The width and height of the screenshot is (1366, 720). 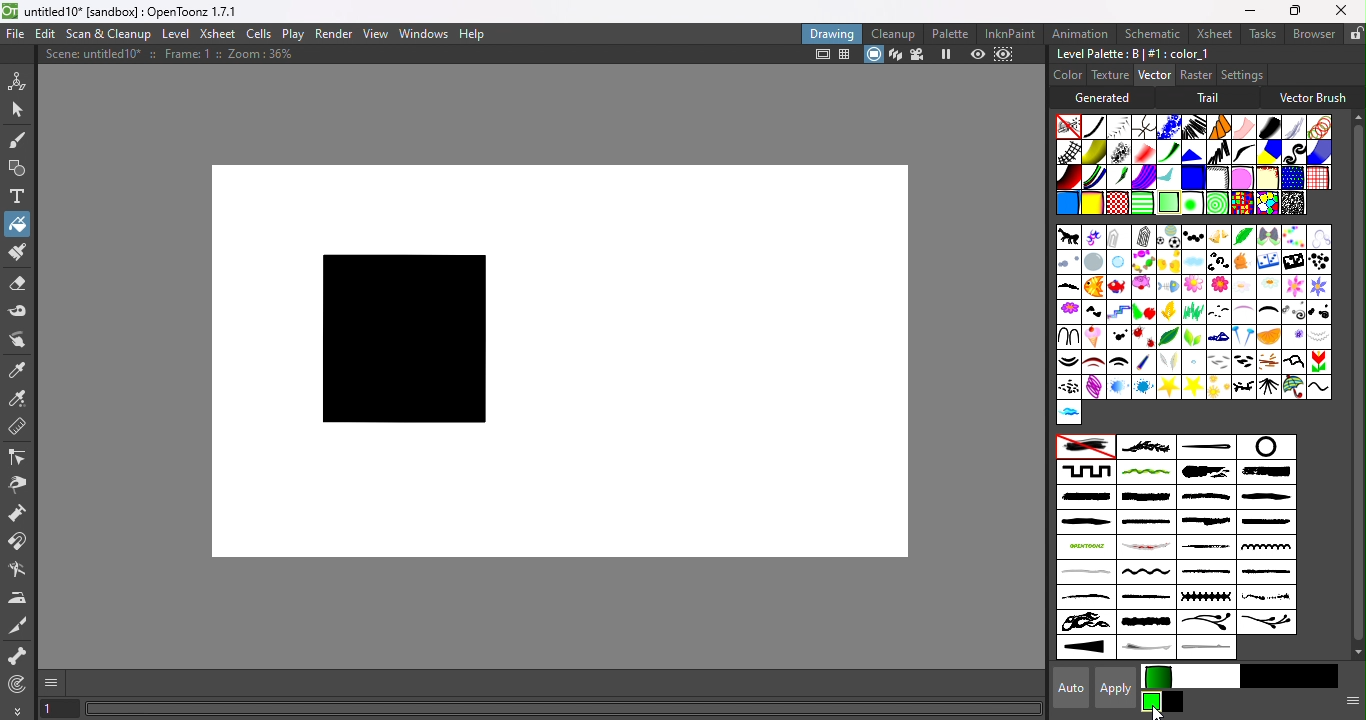 What do you see at coordinates (1141, 363) in the screenshot?
I see `pencil` at bounding box center [1141, 363].